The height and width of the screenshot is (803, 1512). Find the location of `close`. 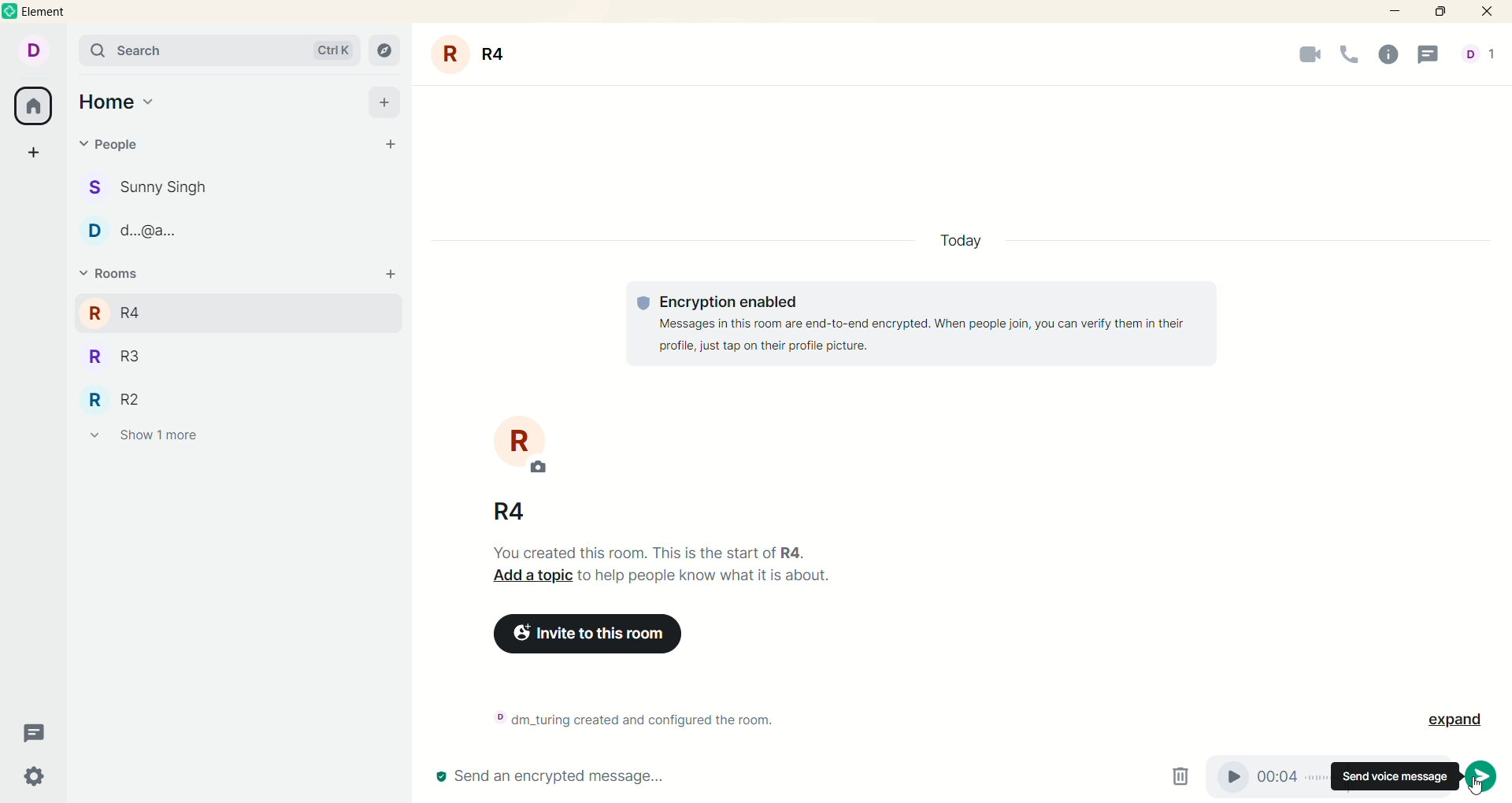

close is located at coordinates (1490, 12).